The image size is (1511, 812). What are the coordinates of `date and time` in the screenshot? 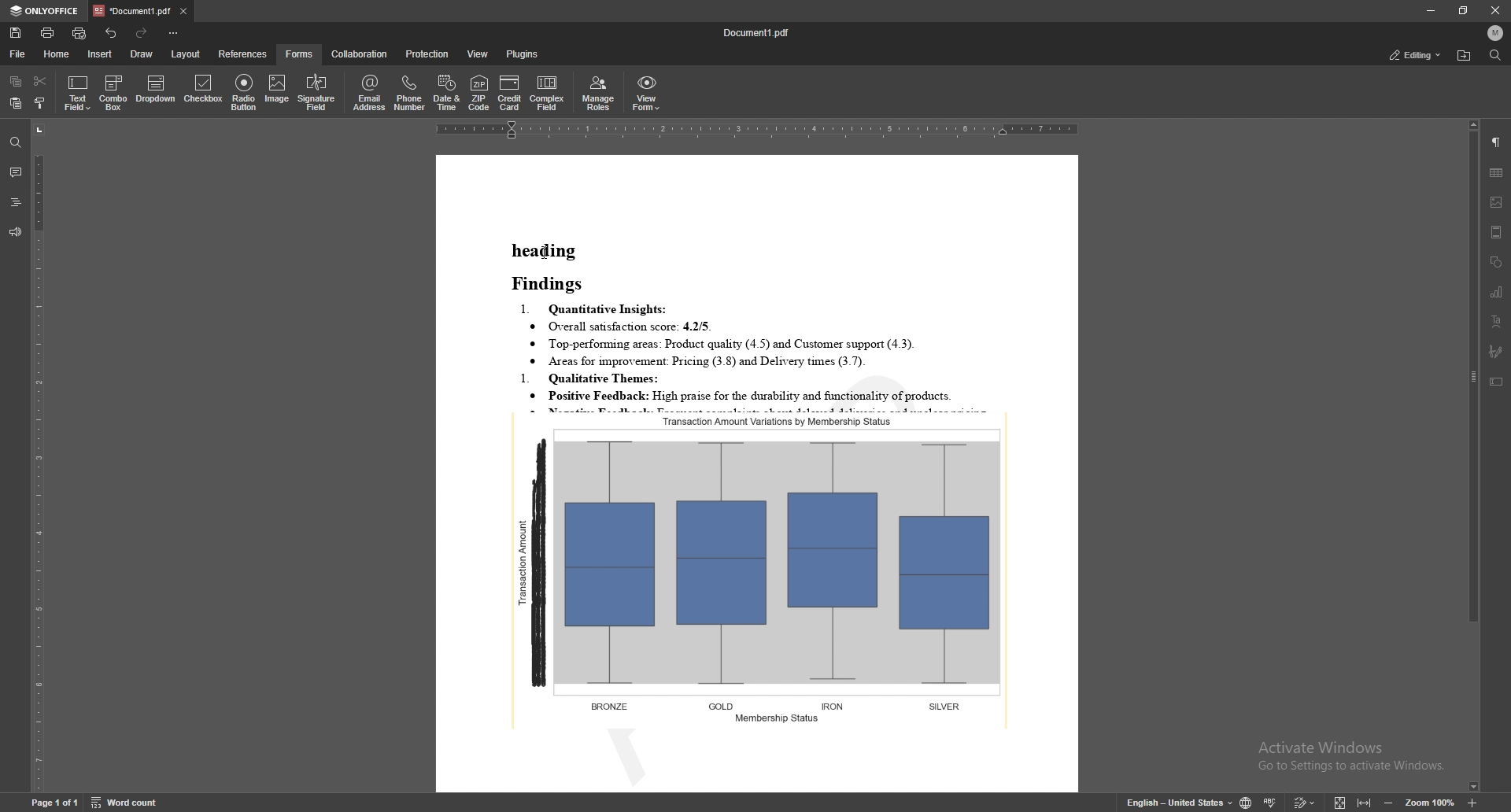 It's located at (446, 94).